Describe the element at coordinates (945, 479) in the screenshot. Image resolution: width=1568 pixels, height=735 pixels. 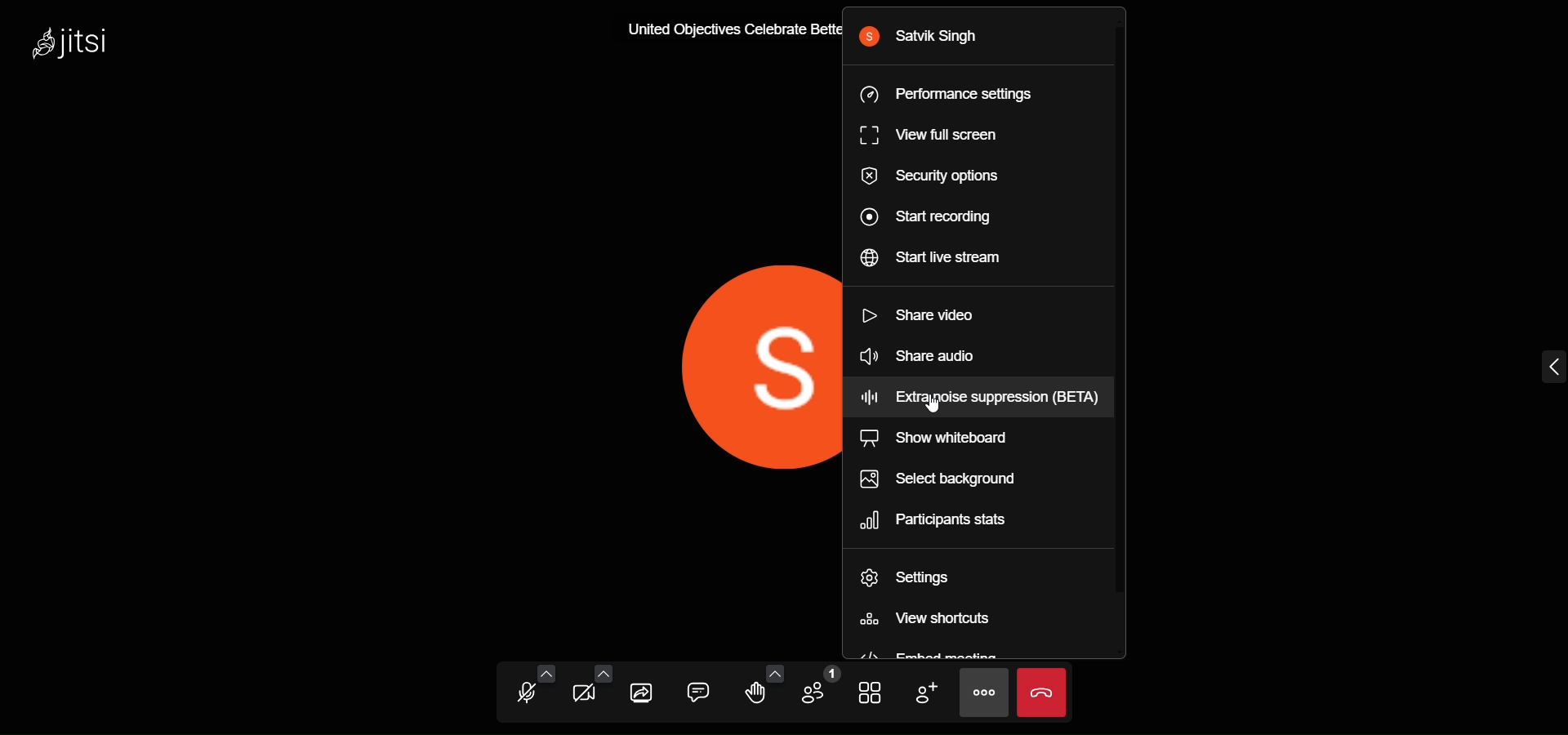
I see `select background` at that location.